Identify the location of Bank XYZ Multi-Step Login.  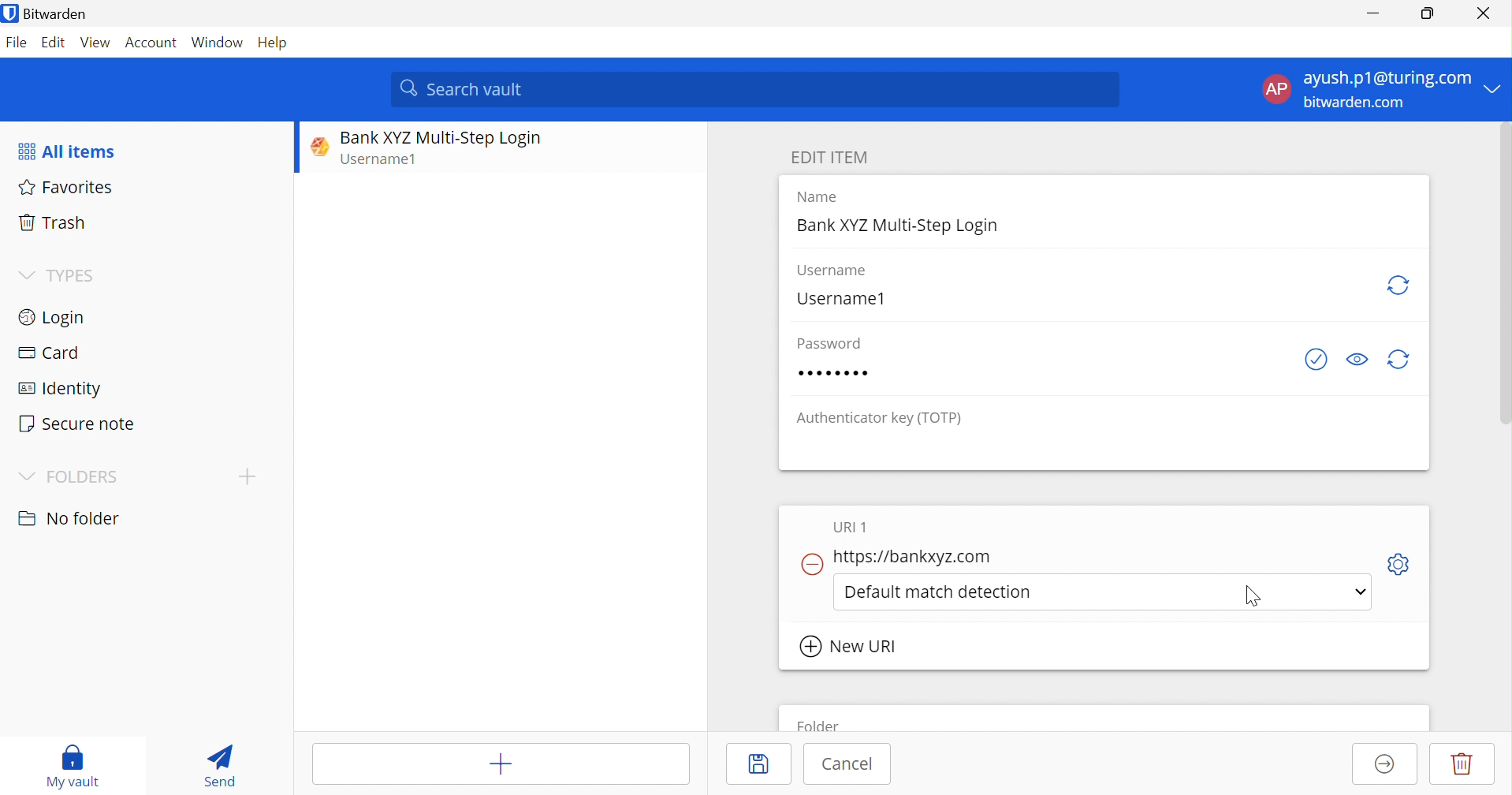
(441, 138).